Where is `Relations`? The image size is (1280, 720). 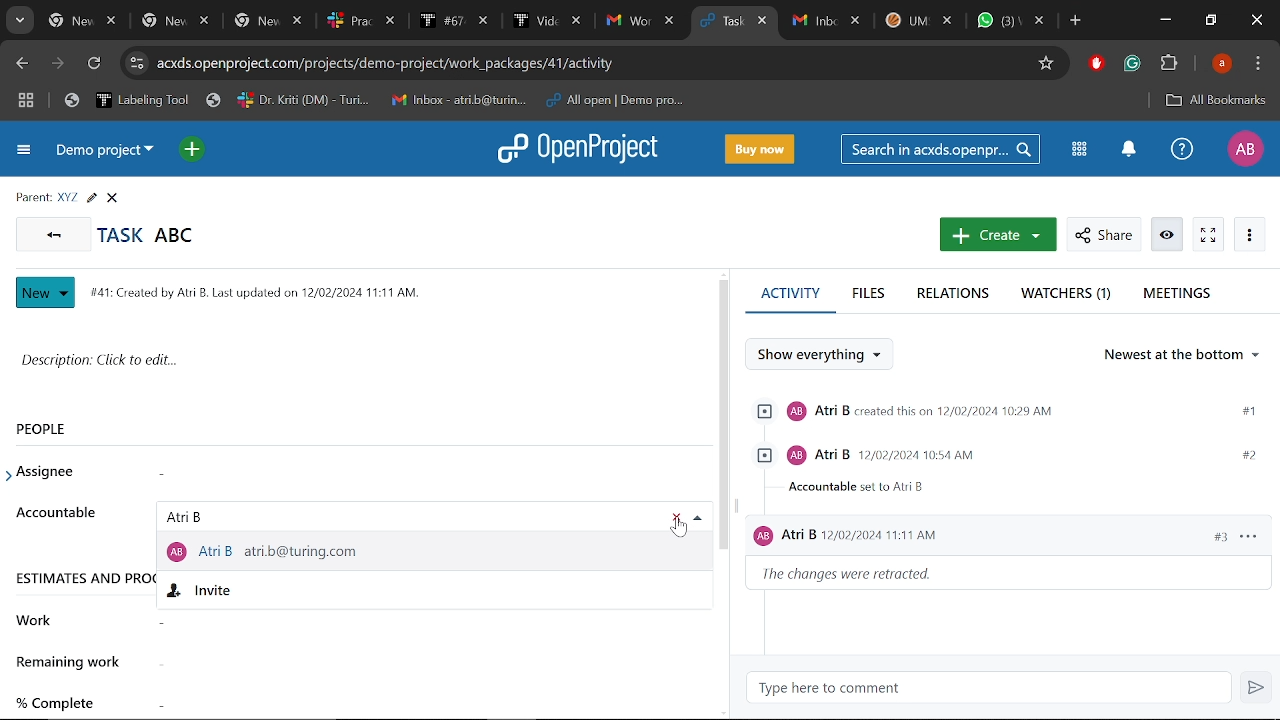 Relations is located at coordinates (956, 294).